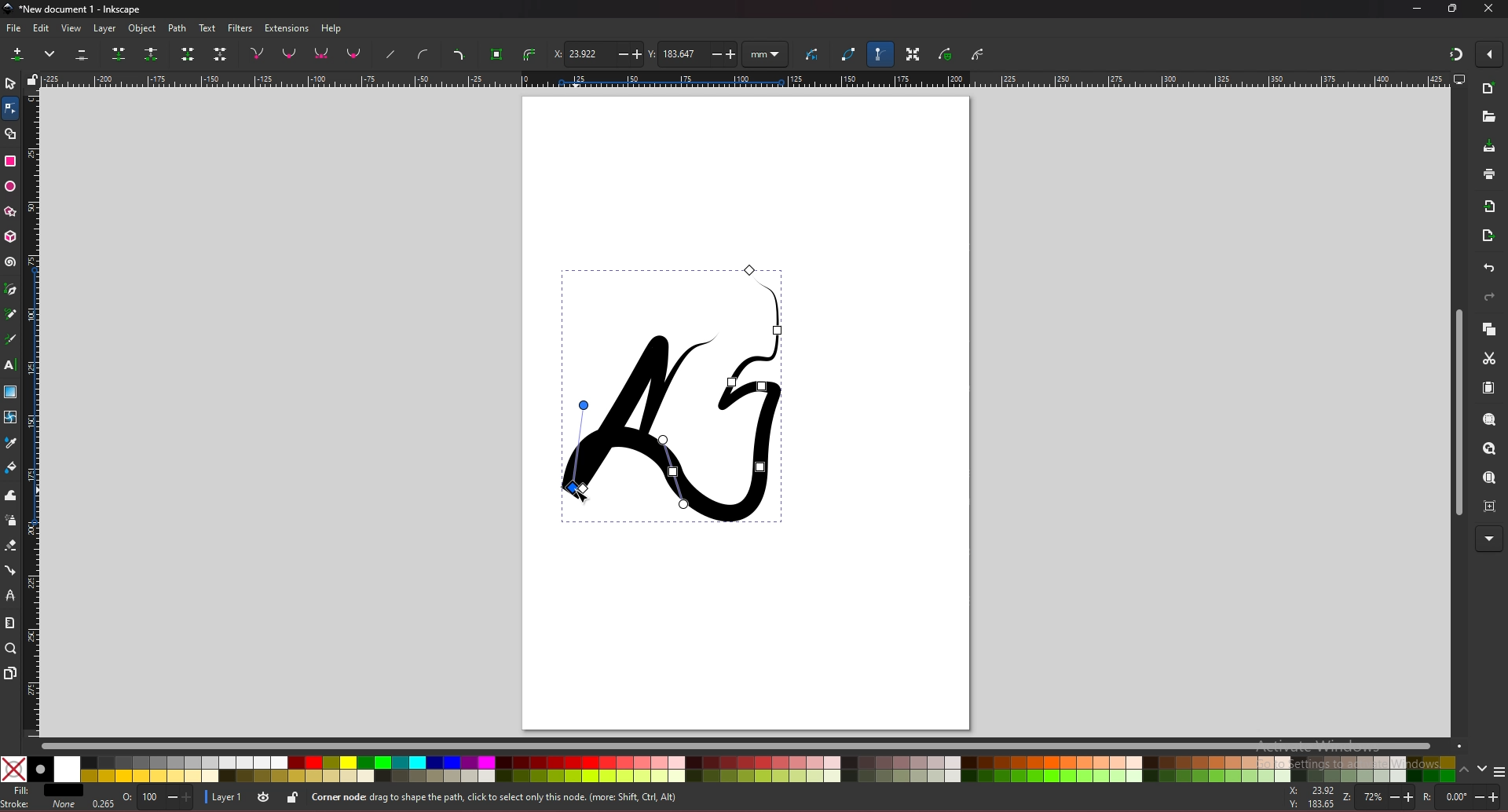 This screenshot has width=1508, height=812. Describe the element at coordinates (11, 521) in the screenshot. I see `spray` at that location.